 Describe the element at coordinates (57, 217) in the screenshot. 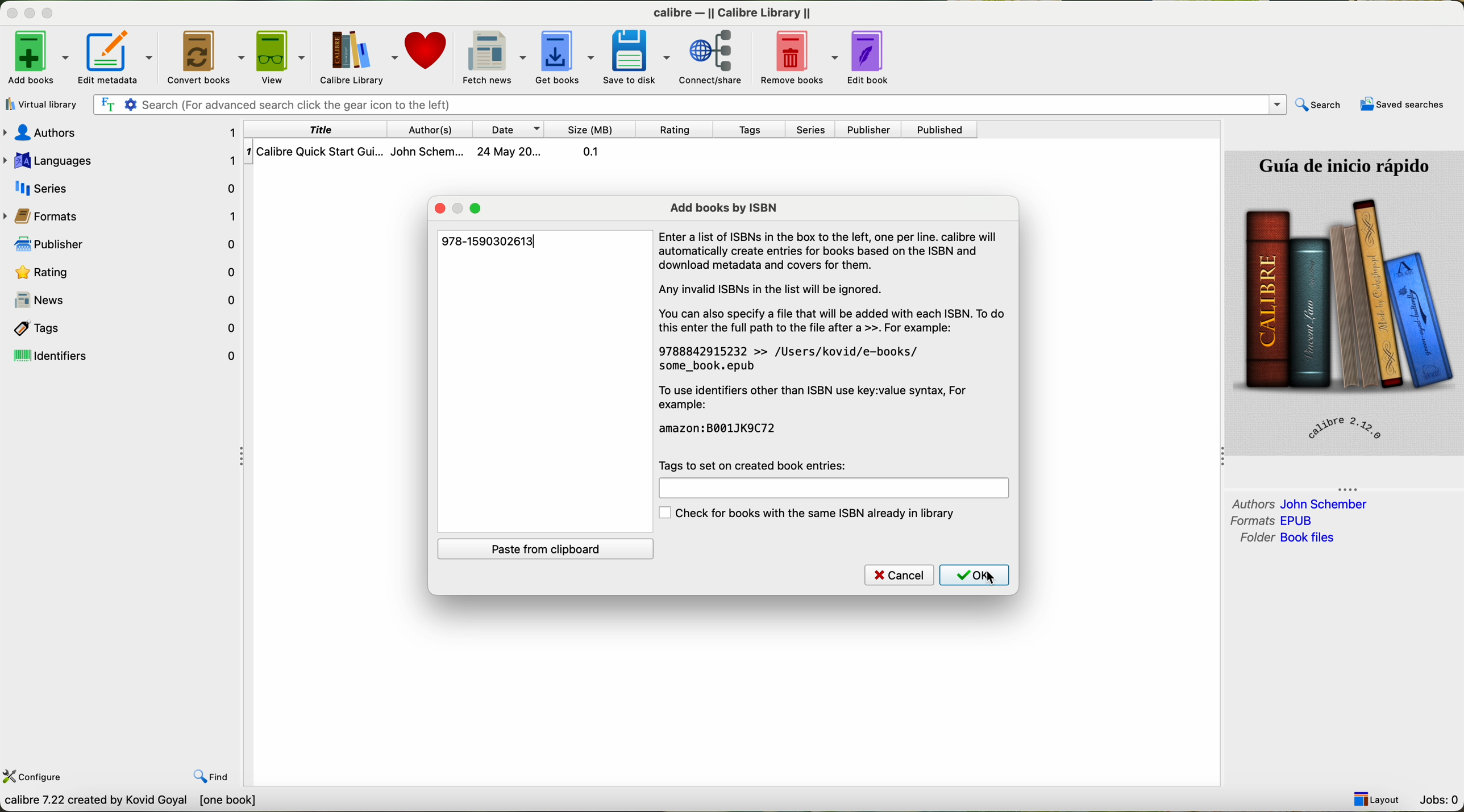

I see `format` at that location.